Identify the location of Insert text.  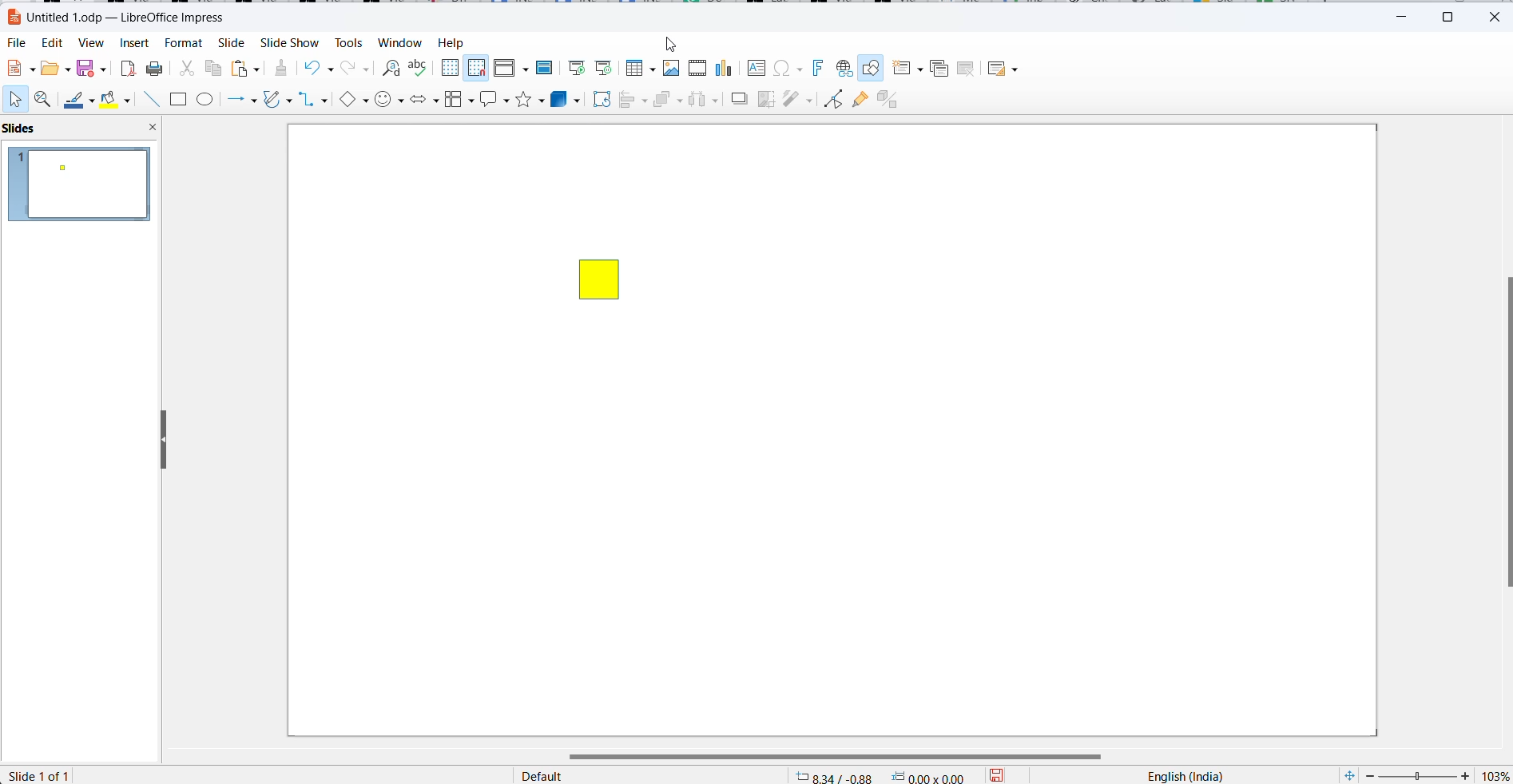
(757, 67).